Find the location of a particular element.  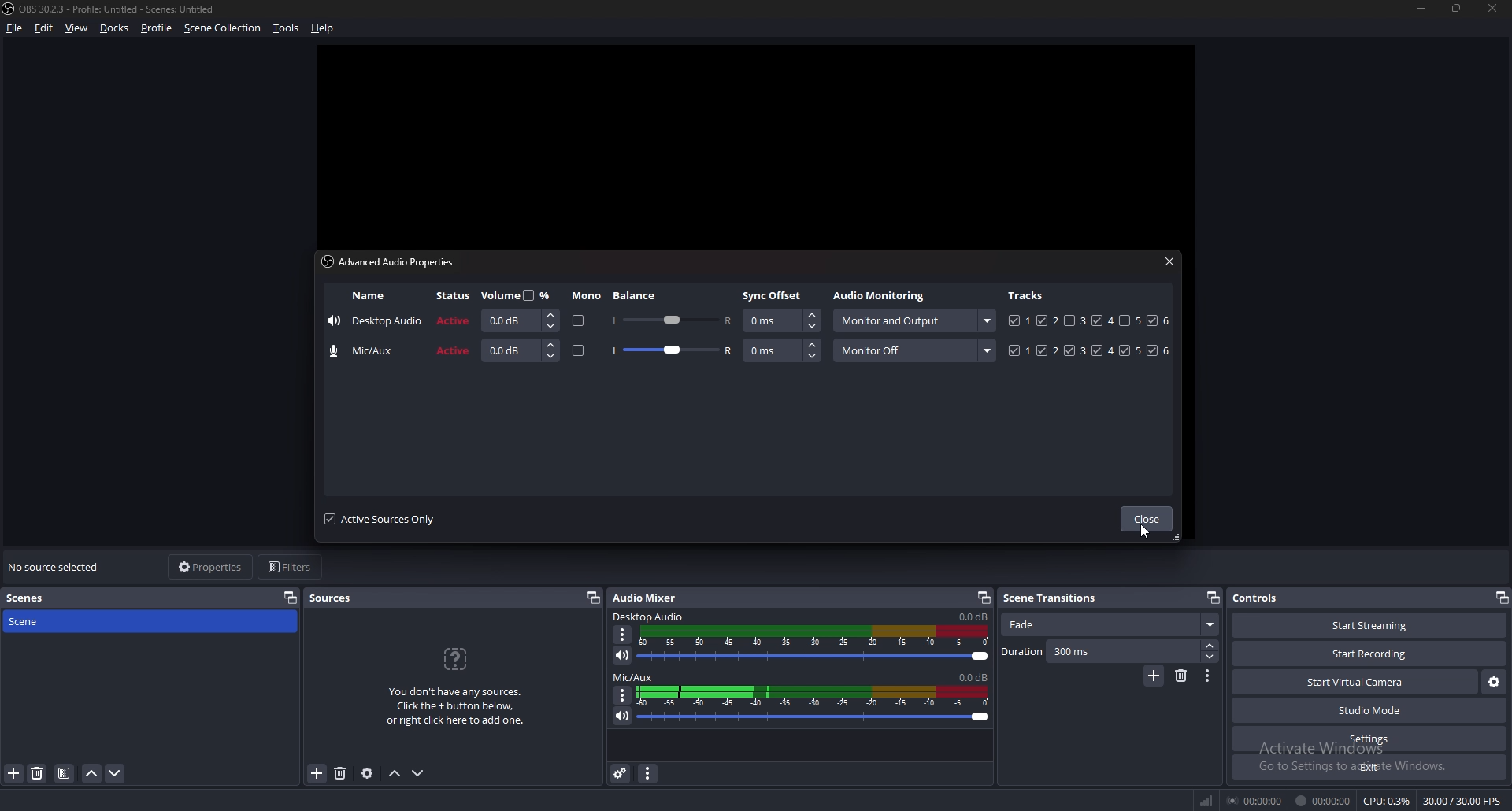

CPU: 0.3% is located at coordinates (1387, 802).